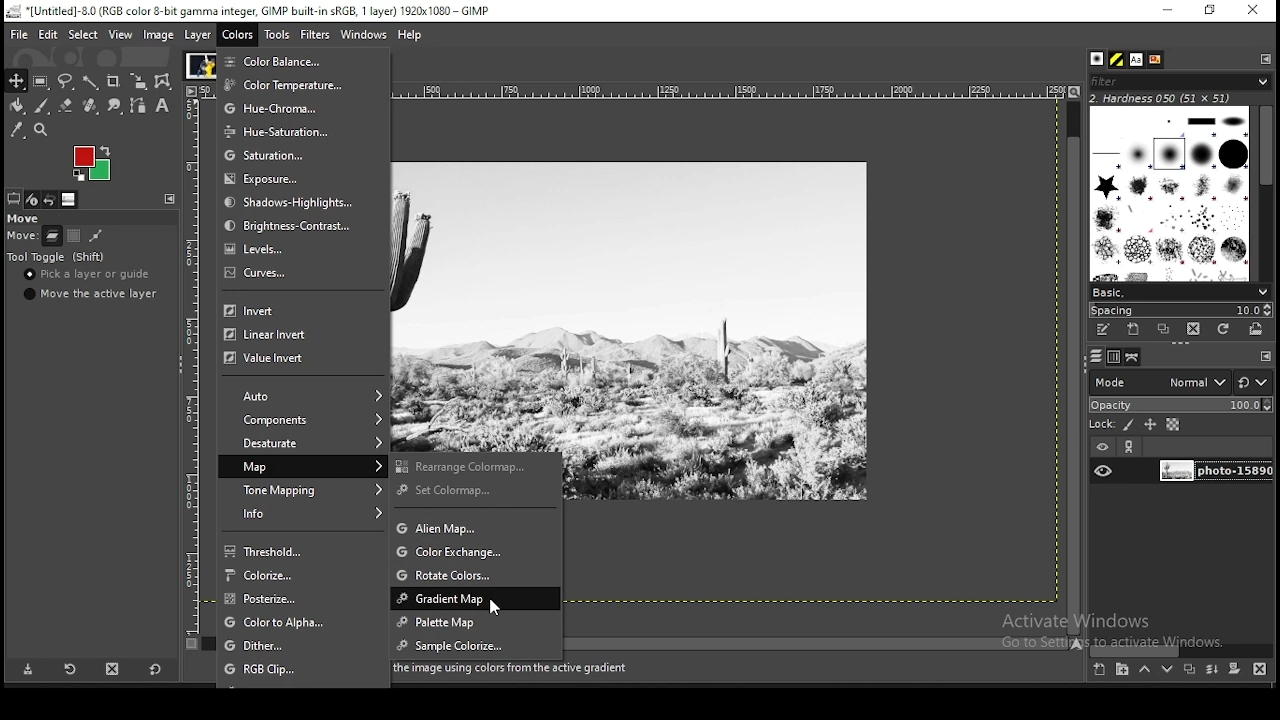 The width and height of the screenshot is (1280, 720). I want to click on configure this panel, so click(170, 199).